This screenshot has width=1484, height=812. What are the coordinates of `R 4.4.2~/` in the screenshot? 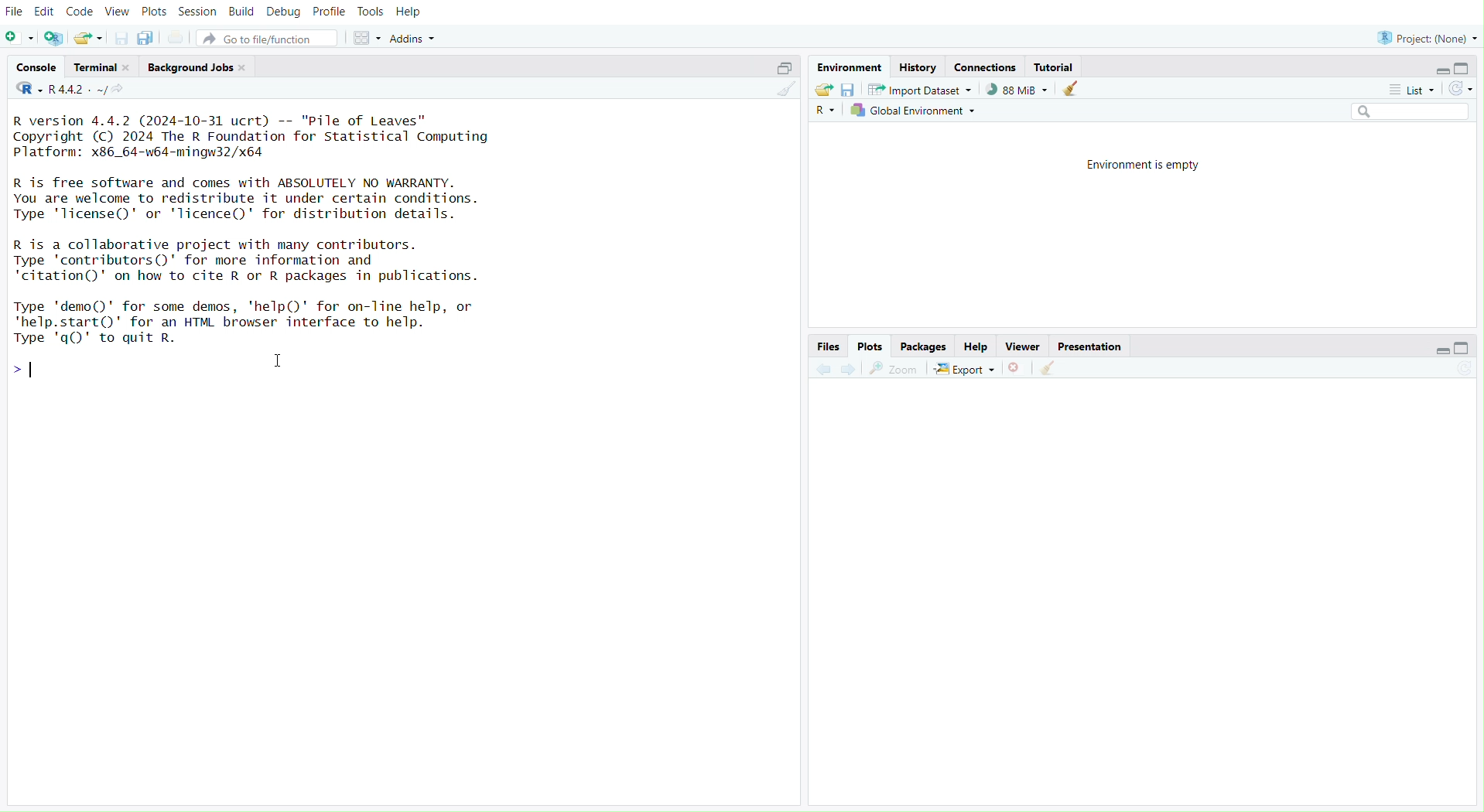 It's located at (78, 91).